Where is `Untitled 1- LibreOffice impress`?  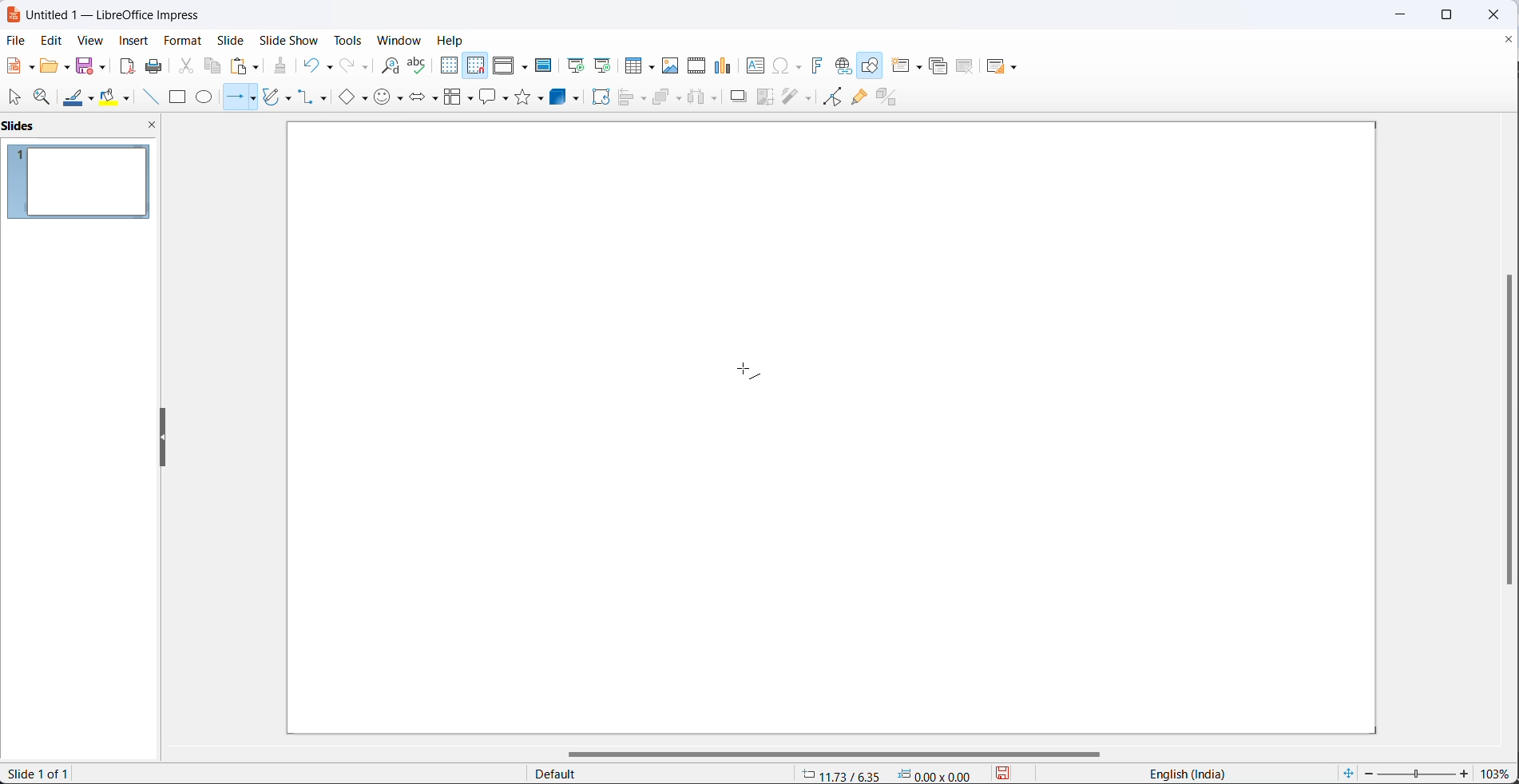
Untitled 1- LibreOffice impress is located at coordinates (113, 14).